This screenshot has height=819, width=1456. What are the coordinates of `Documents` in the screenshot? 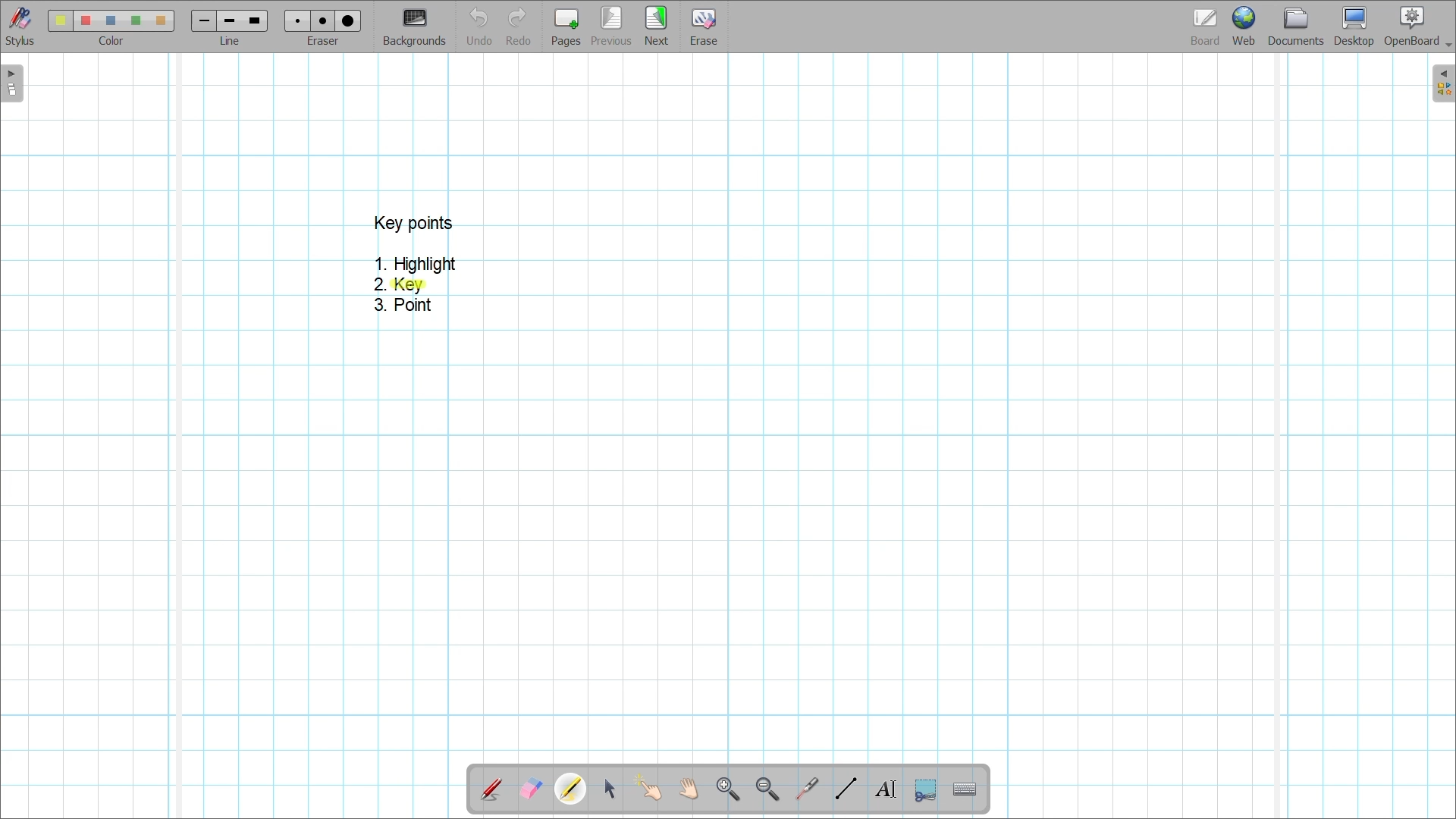 It's located at (1296, 27).